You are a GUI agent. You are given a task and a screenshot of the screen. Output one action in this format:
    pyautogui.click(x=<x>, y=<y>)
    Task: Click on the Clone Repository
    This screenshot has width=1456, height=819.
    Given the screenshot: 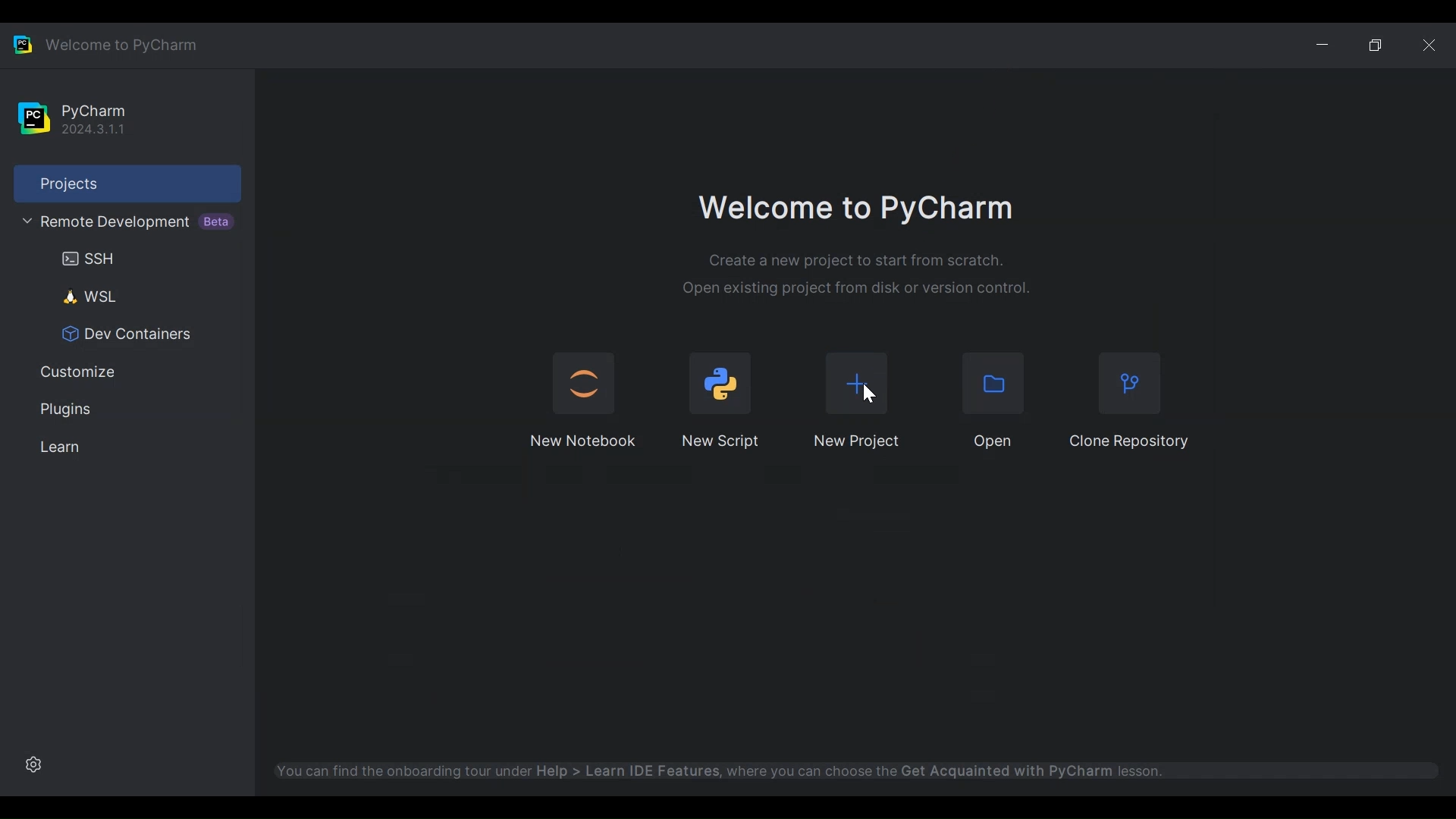 What is the action you would take?
    pyautogui.click(x=1129, y=386)
    